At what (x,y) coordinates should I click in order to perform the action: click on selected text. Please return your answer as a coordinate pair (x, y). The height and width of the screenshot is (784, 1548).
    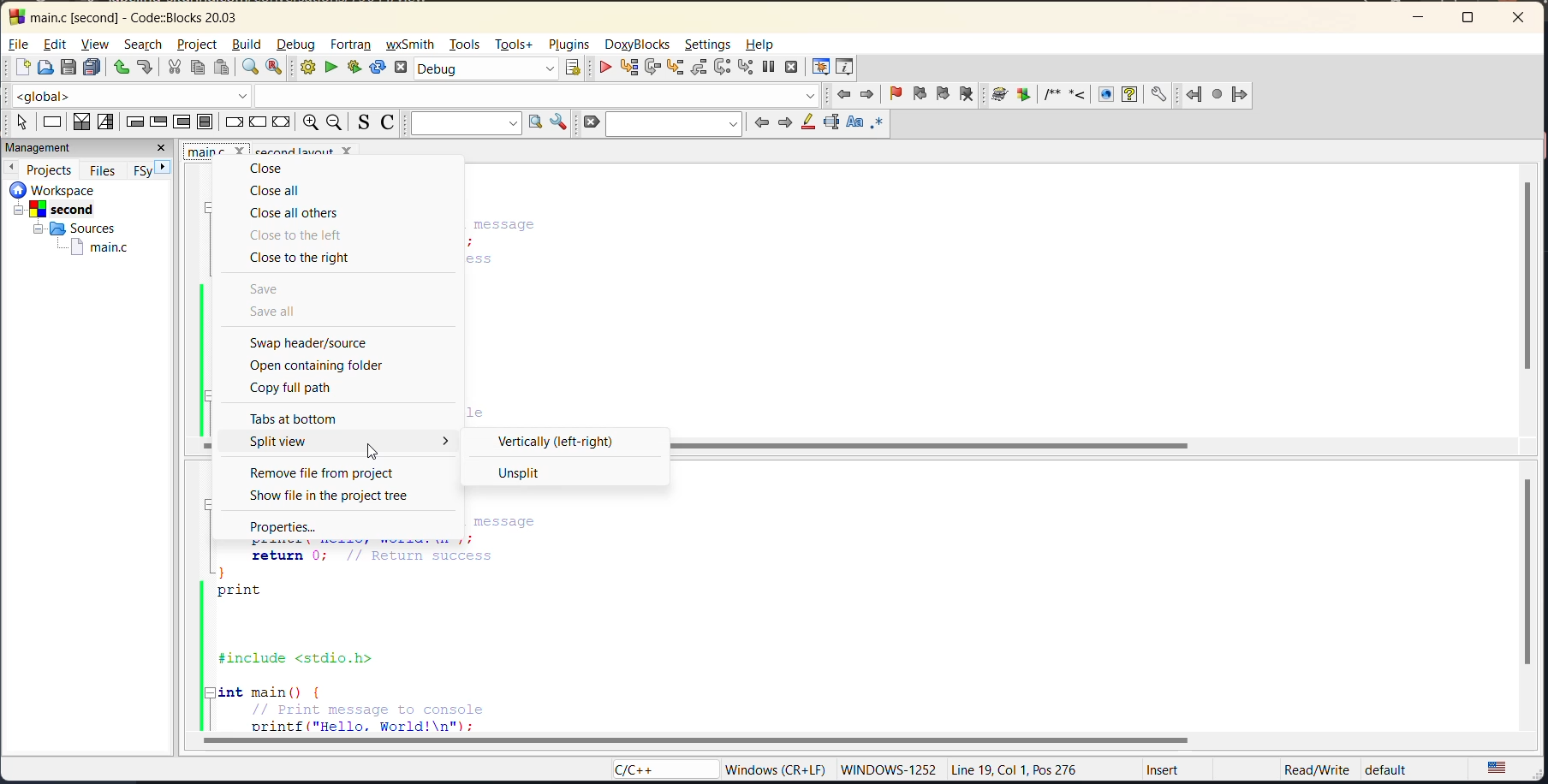
    Looking at the image, I should click on (832, 123).